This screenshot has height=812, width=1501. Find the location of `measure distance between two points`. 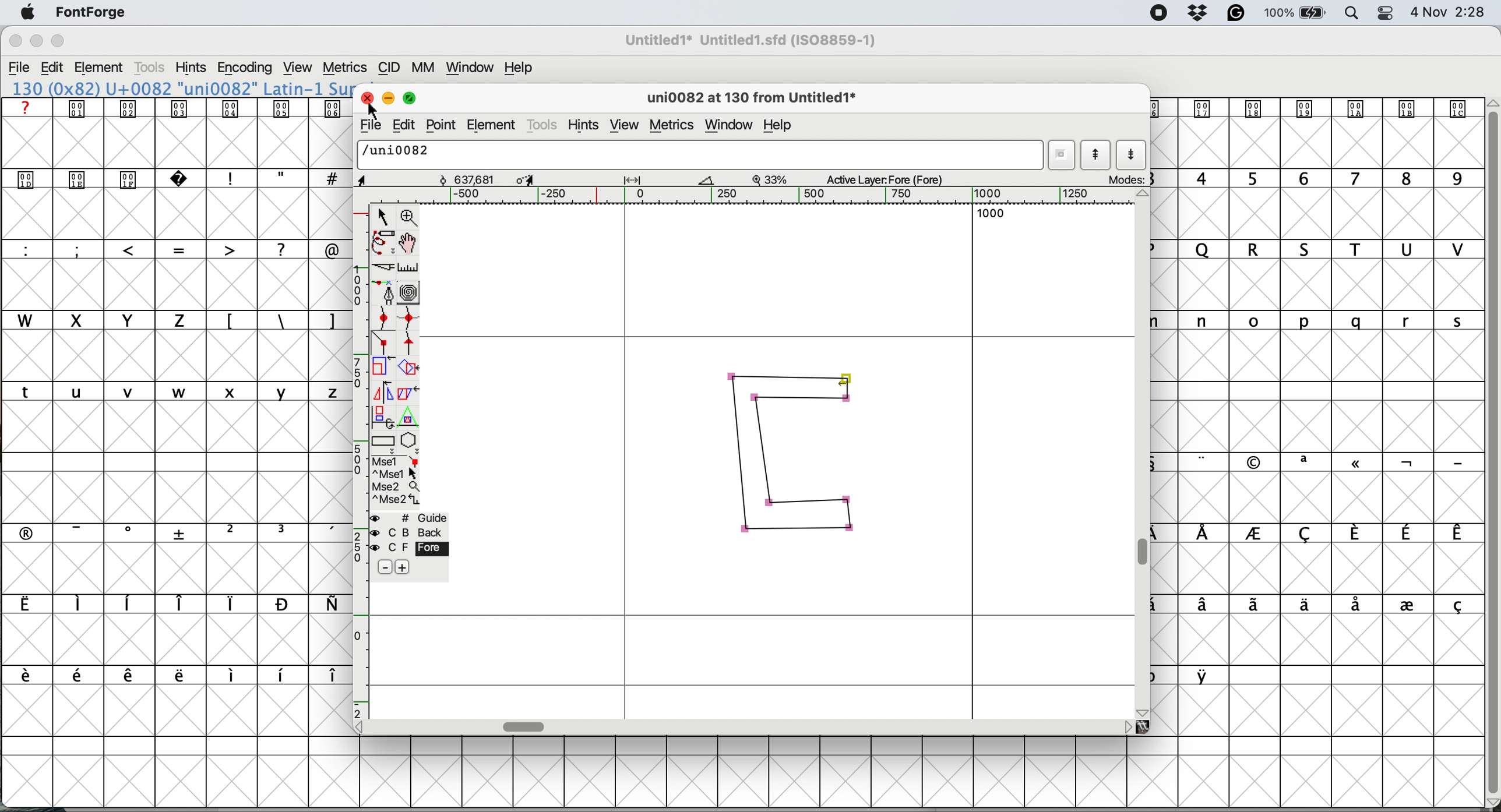

measure distance between two points is located at coordinates (409, 270).